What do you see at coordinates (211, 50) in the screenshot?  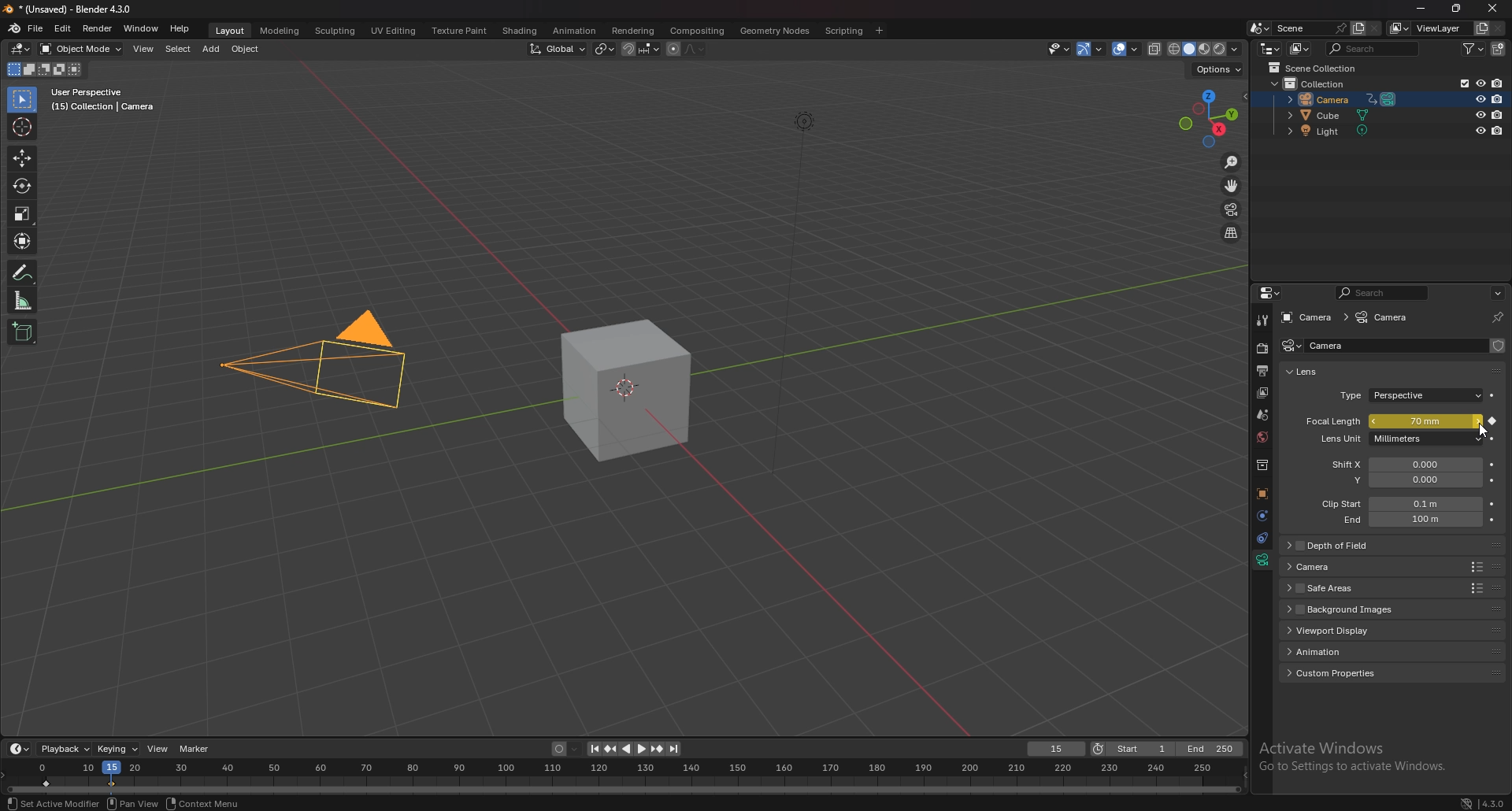 I see `add` at bounding box center [211, 50].